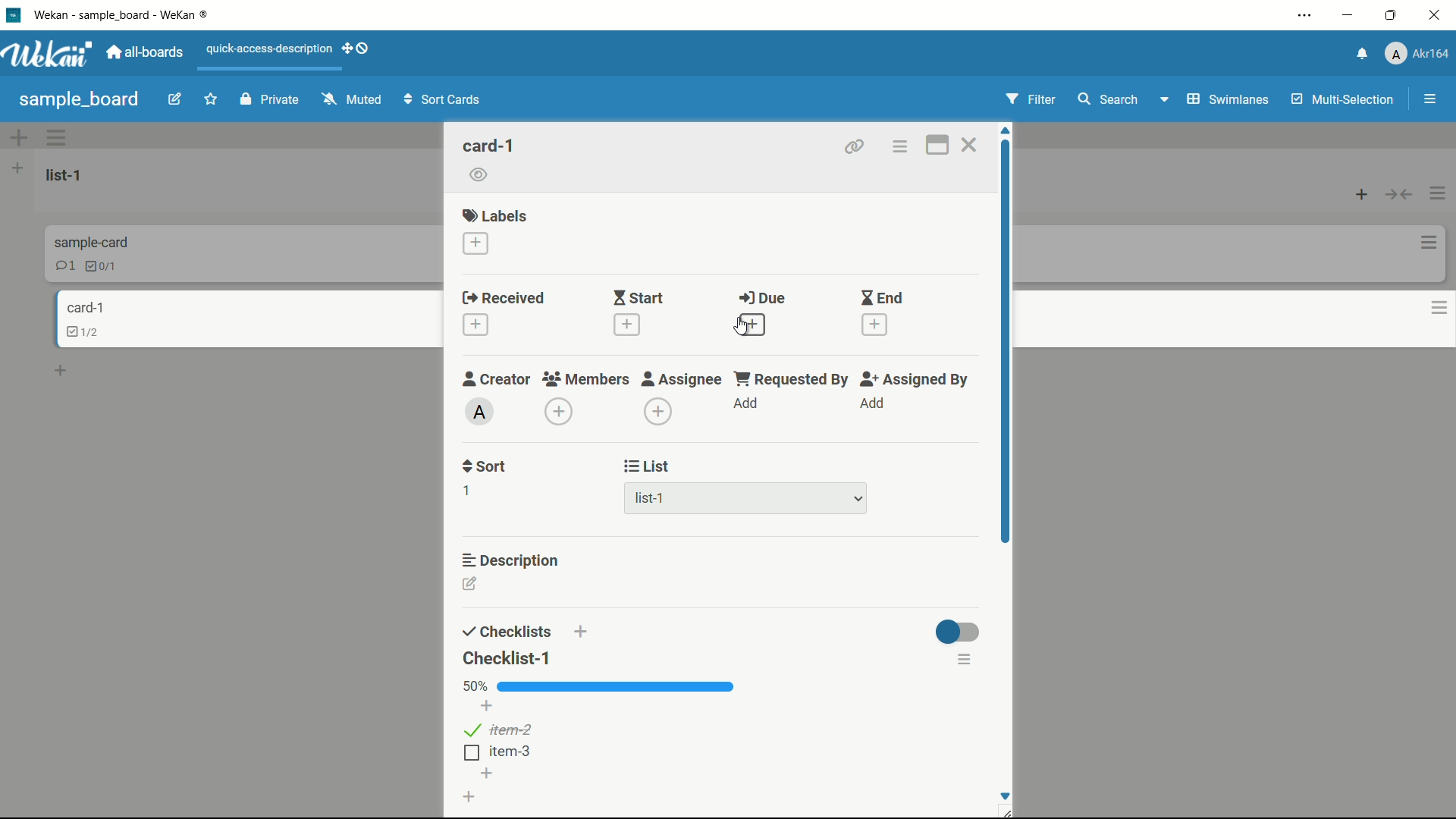 Image resolution: width=1456 pixels, height=819 pixels. I want to click on creator, so click(494, 380).